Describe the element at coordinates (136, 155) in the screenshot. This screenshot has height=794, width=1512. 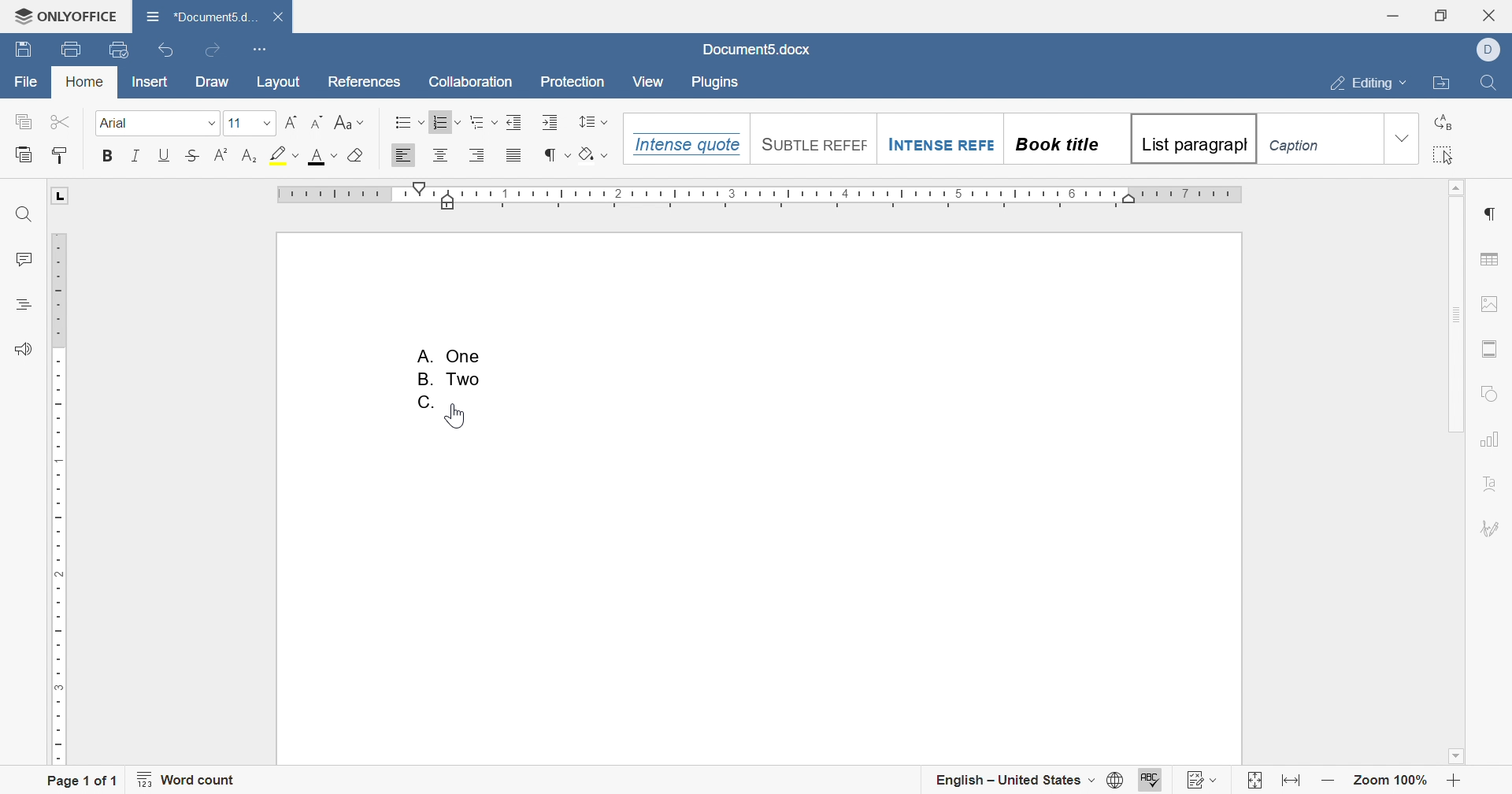
I see `Italic` at that location.